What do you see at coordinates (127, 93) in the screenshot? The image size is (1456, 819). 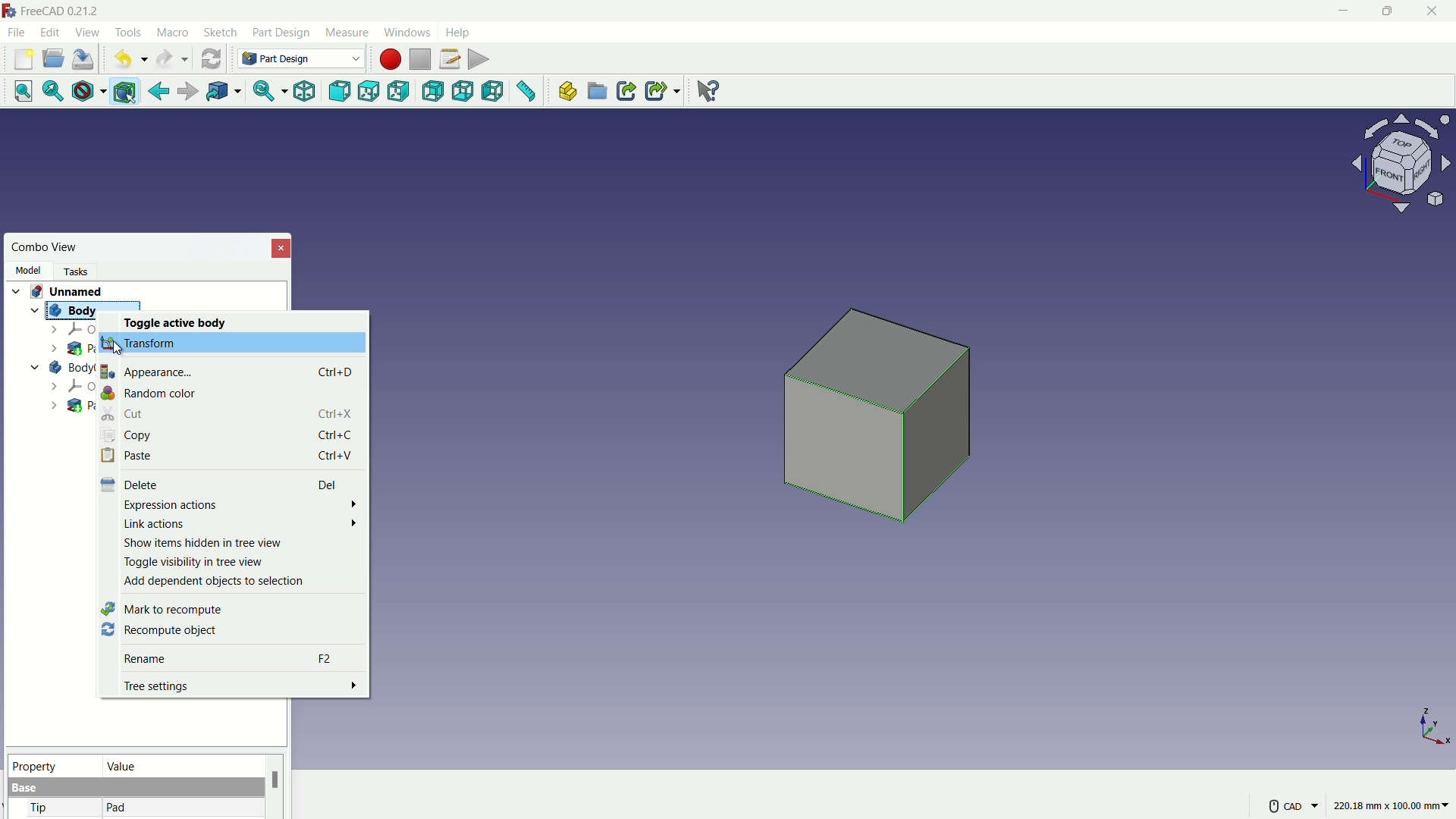 I see `bounding box` at bounding box center [127, 93].